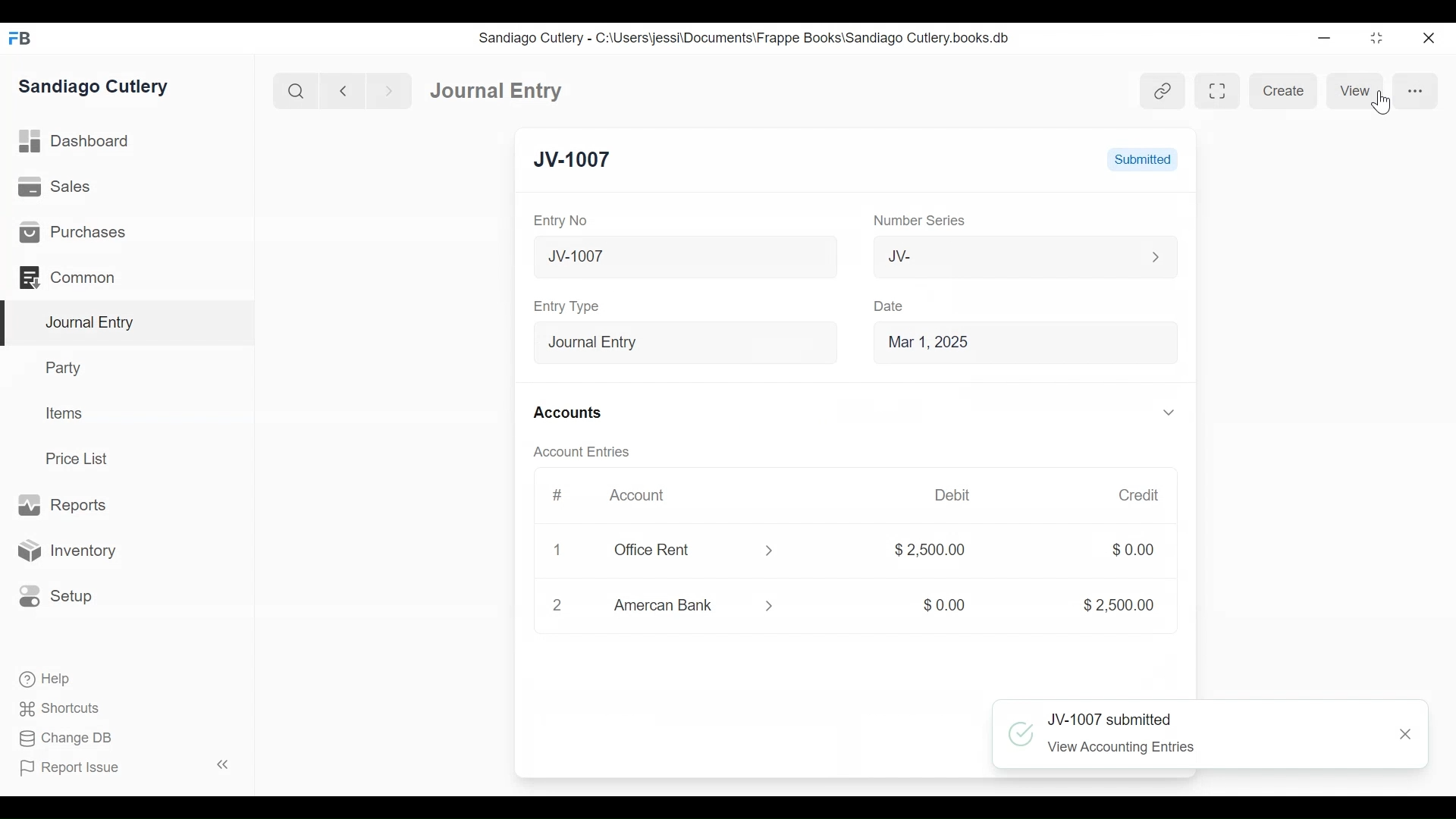 The image size is (1456, 819). I want to click on Account Entries, so click(576, 452).